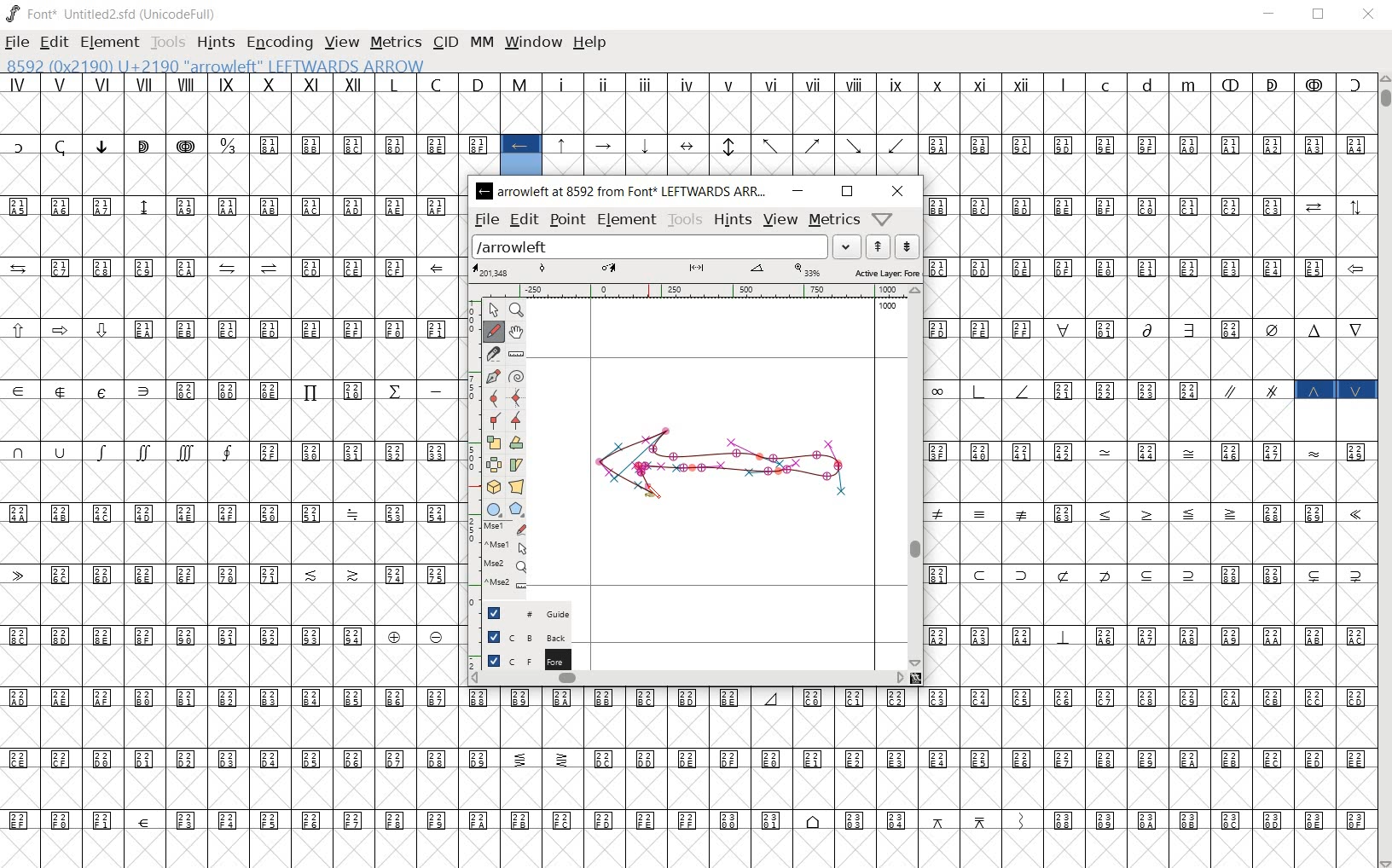 The height and width of the screenshot is (868, 1392). Describe the element at coordinates (520, 660) in the screenshot. I see `foreground layer` at that location.